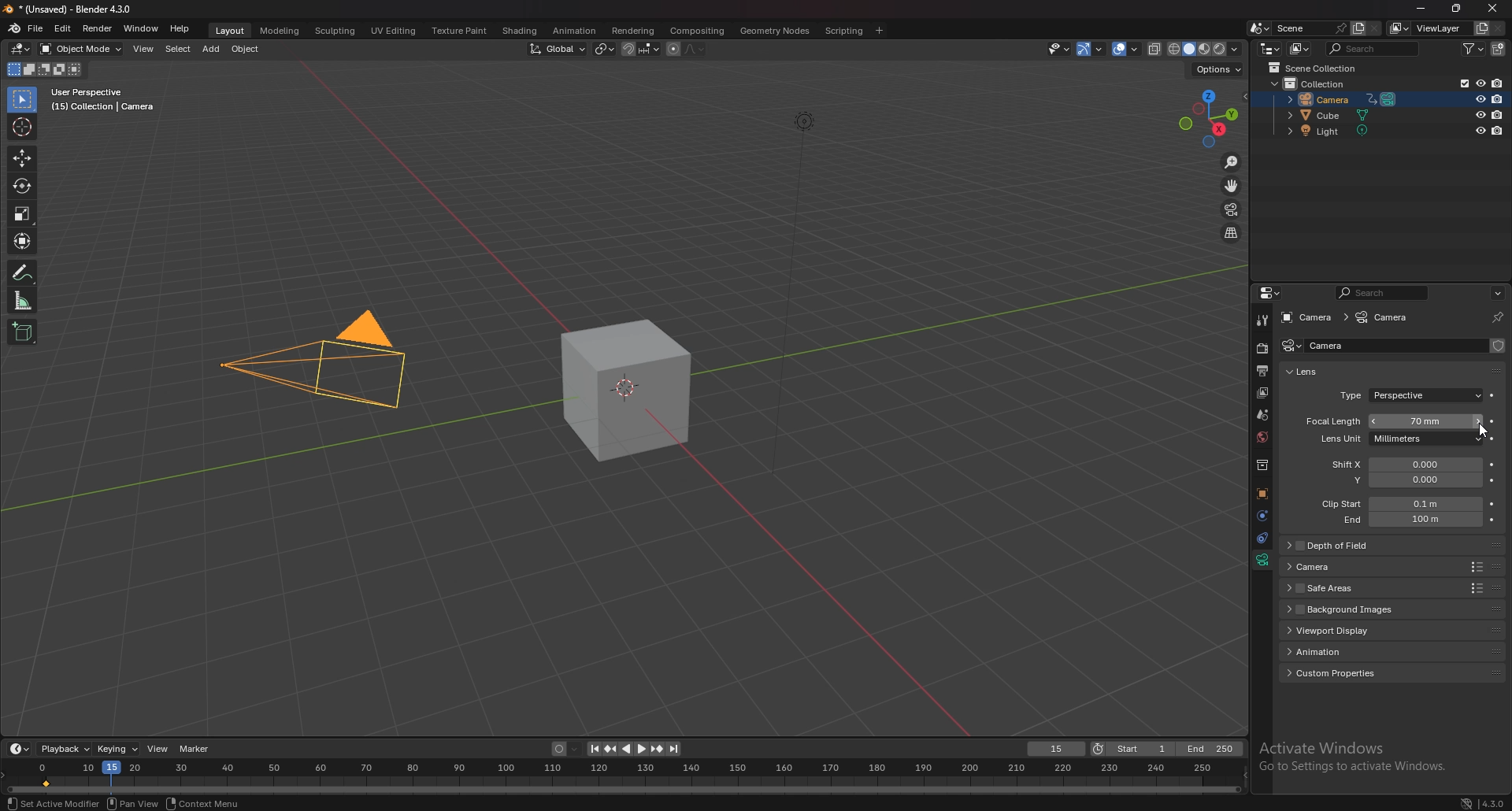  I want to click on viewport shading, so click(1205, 50).